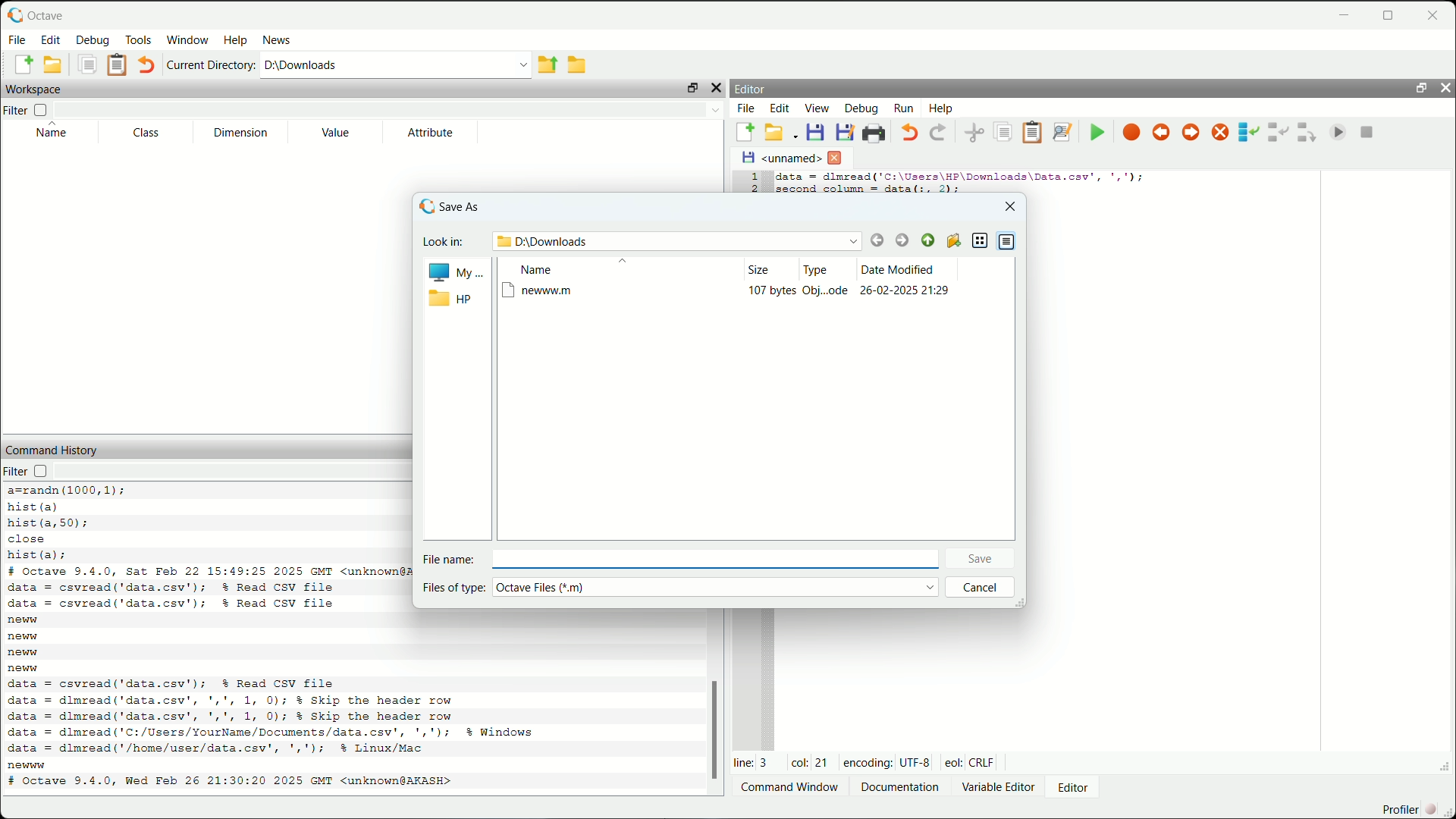 This screenshot has height=819, width=1456. Describe the element at coordinates (1062, 132) in the screenshot. I see `find and replace` at that location.